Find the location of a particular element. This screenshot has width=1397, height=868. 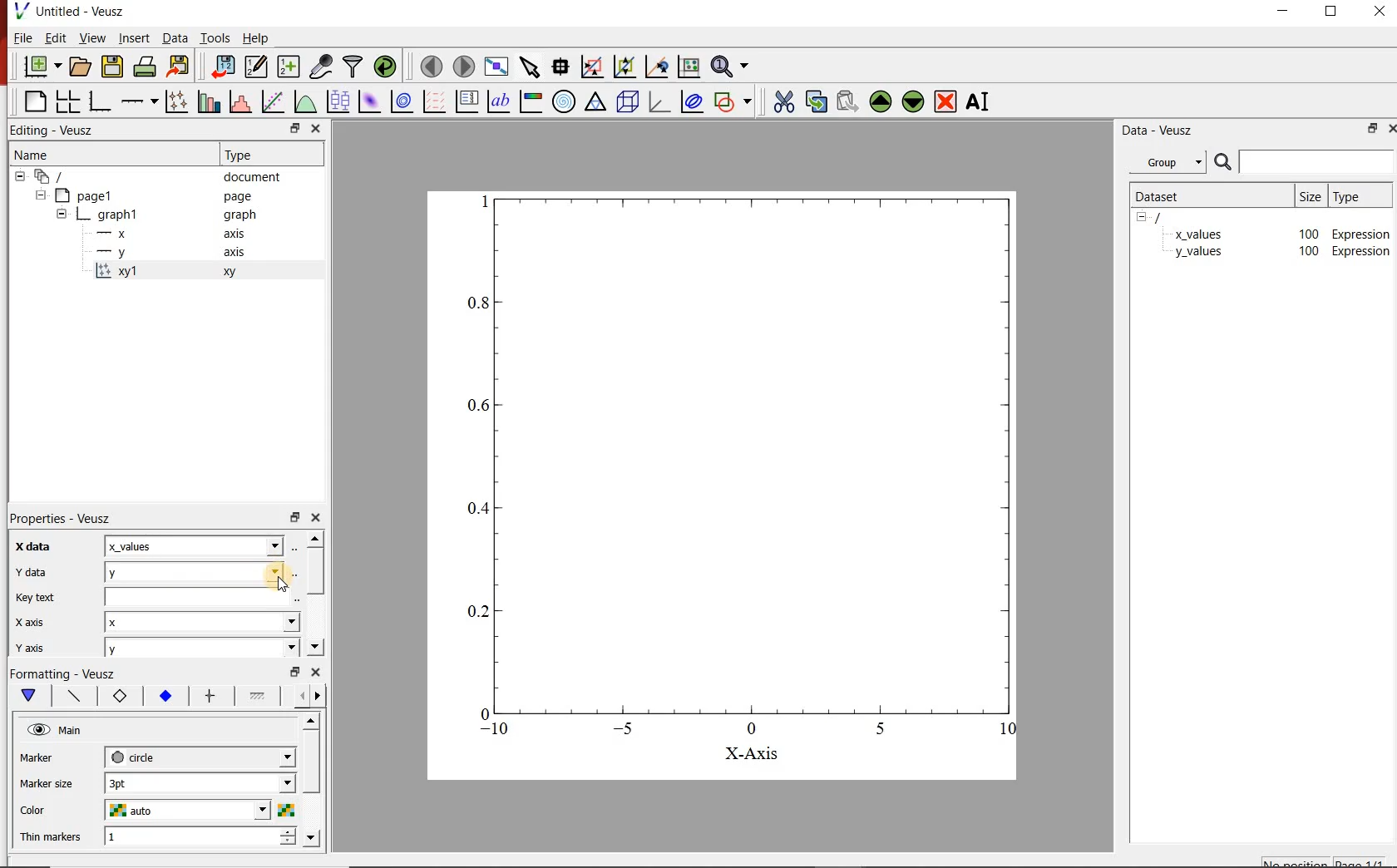

file is located at coordinates (24, 37).